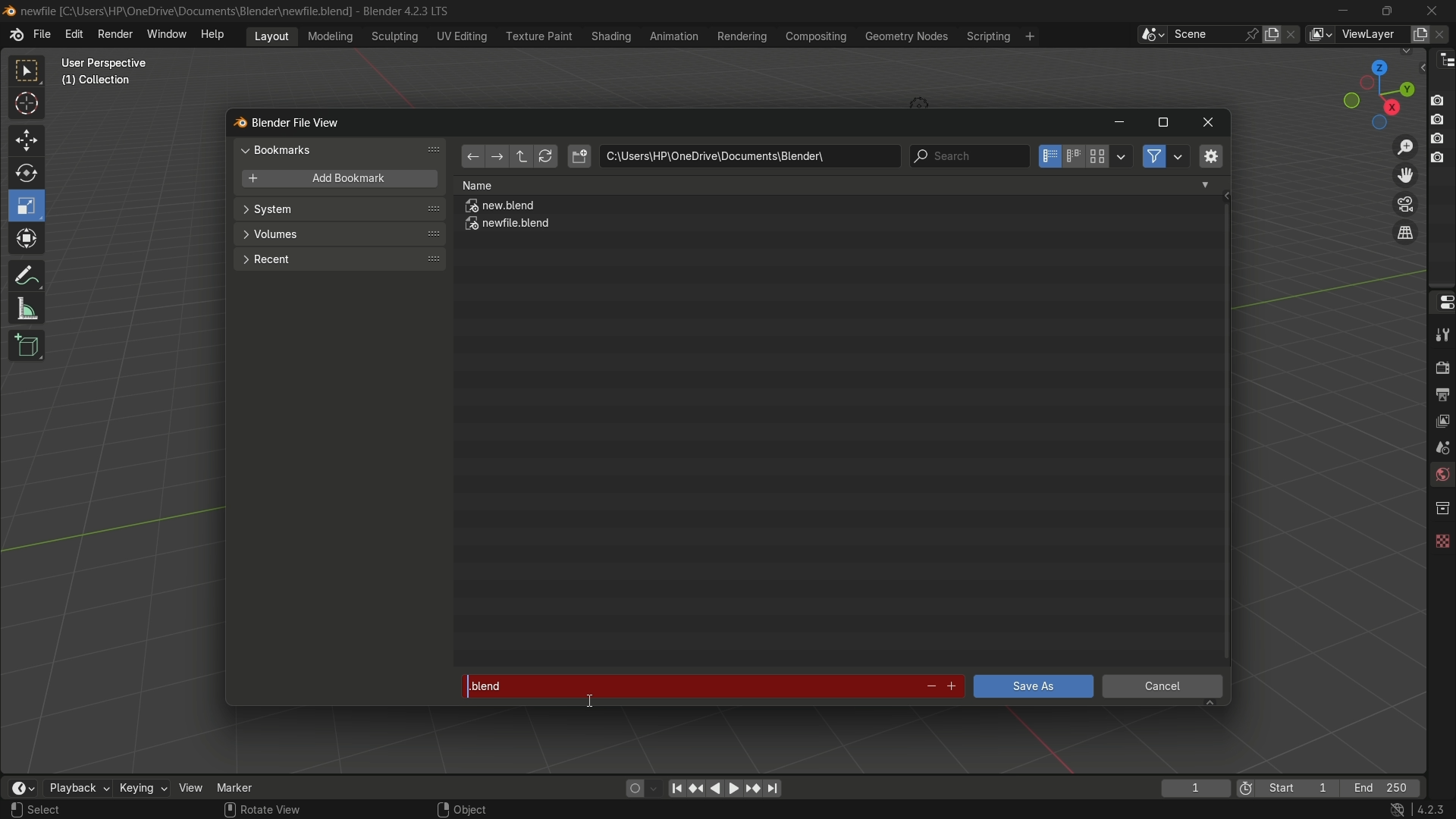 The width and height of the screenshot is (1456, 819). What do you see at coordinates (1205, 33) in the screenshot?
I see `scene name` at bounding box center [1205, 33].